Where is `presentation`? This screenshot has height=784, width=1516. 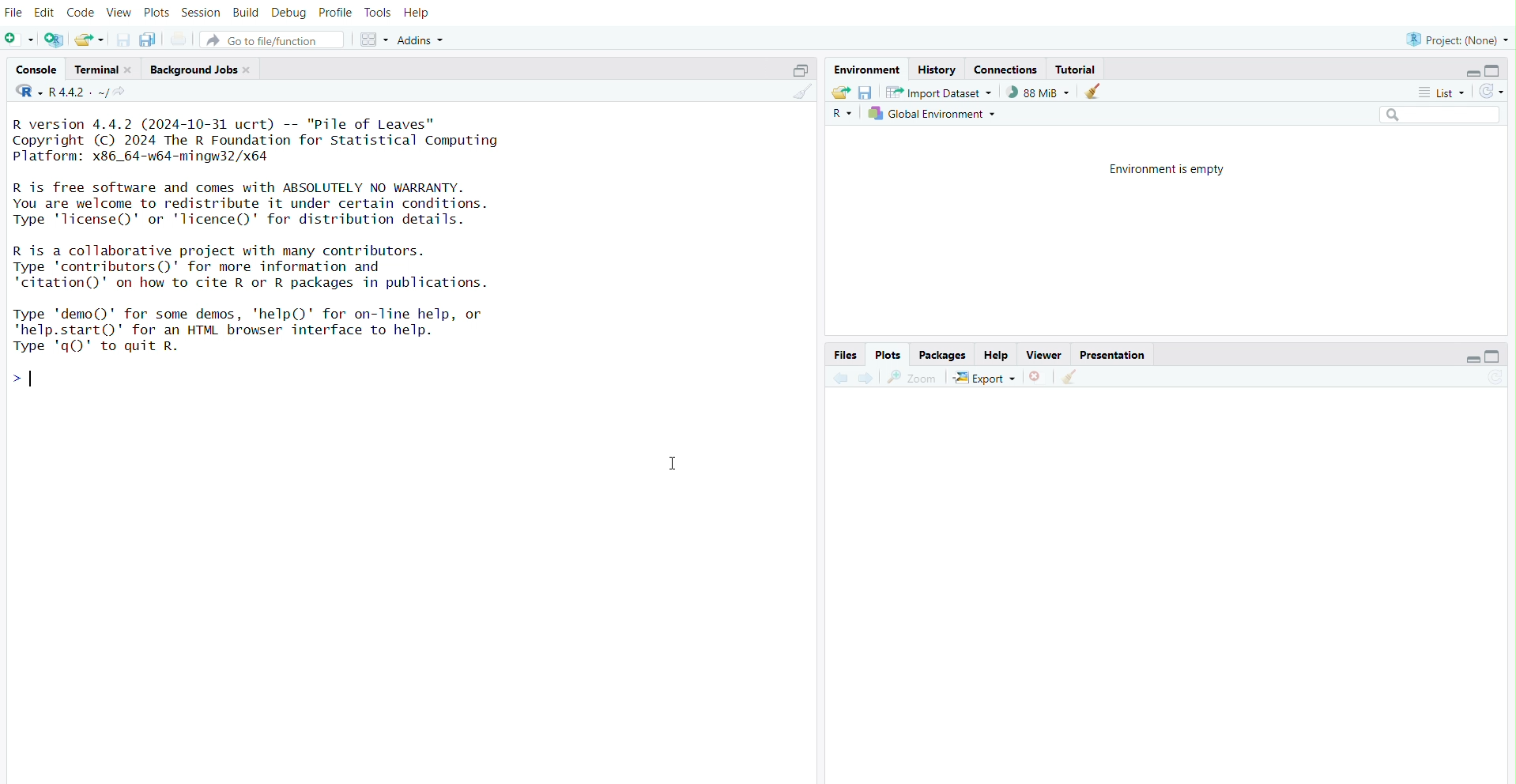
presentation is located at coordinates (1117, 353).